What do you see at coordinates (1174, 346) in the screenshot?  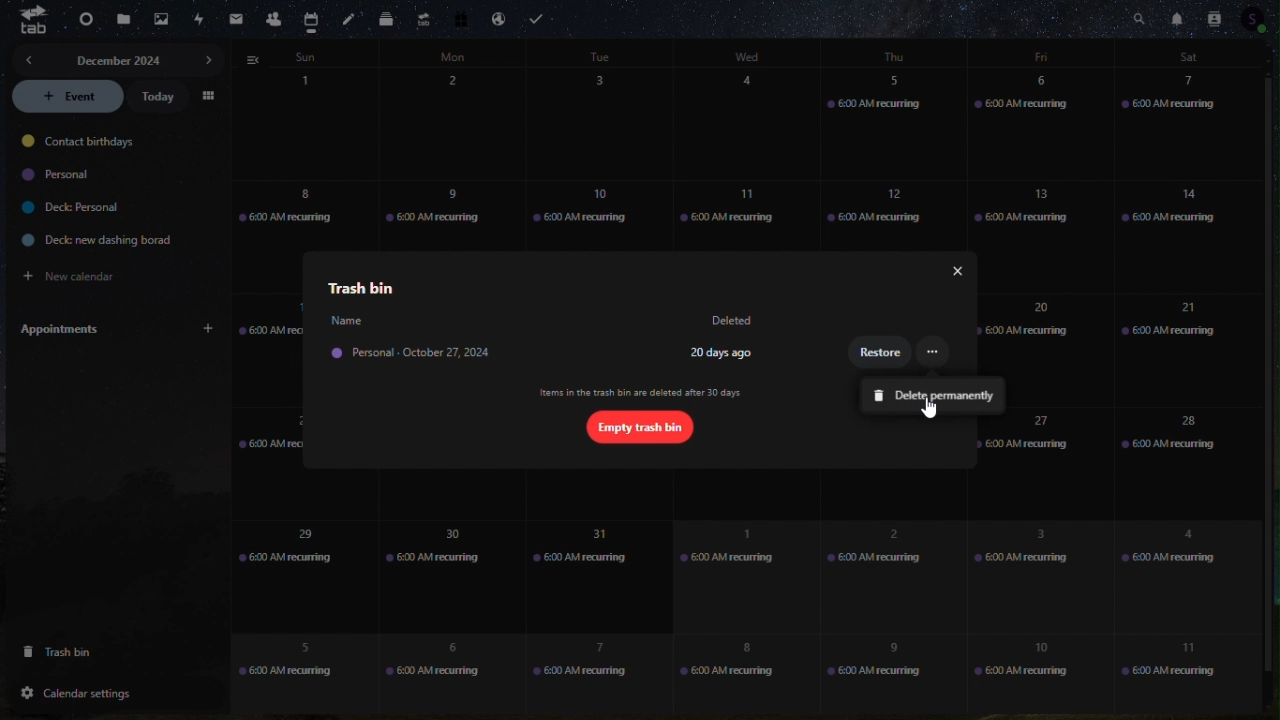 I see `21` at bounding box center [1174, 346].